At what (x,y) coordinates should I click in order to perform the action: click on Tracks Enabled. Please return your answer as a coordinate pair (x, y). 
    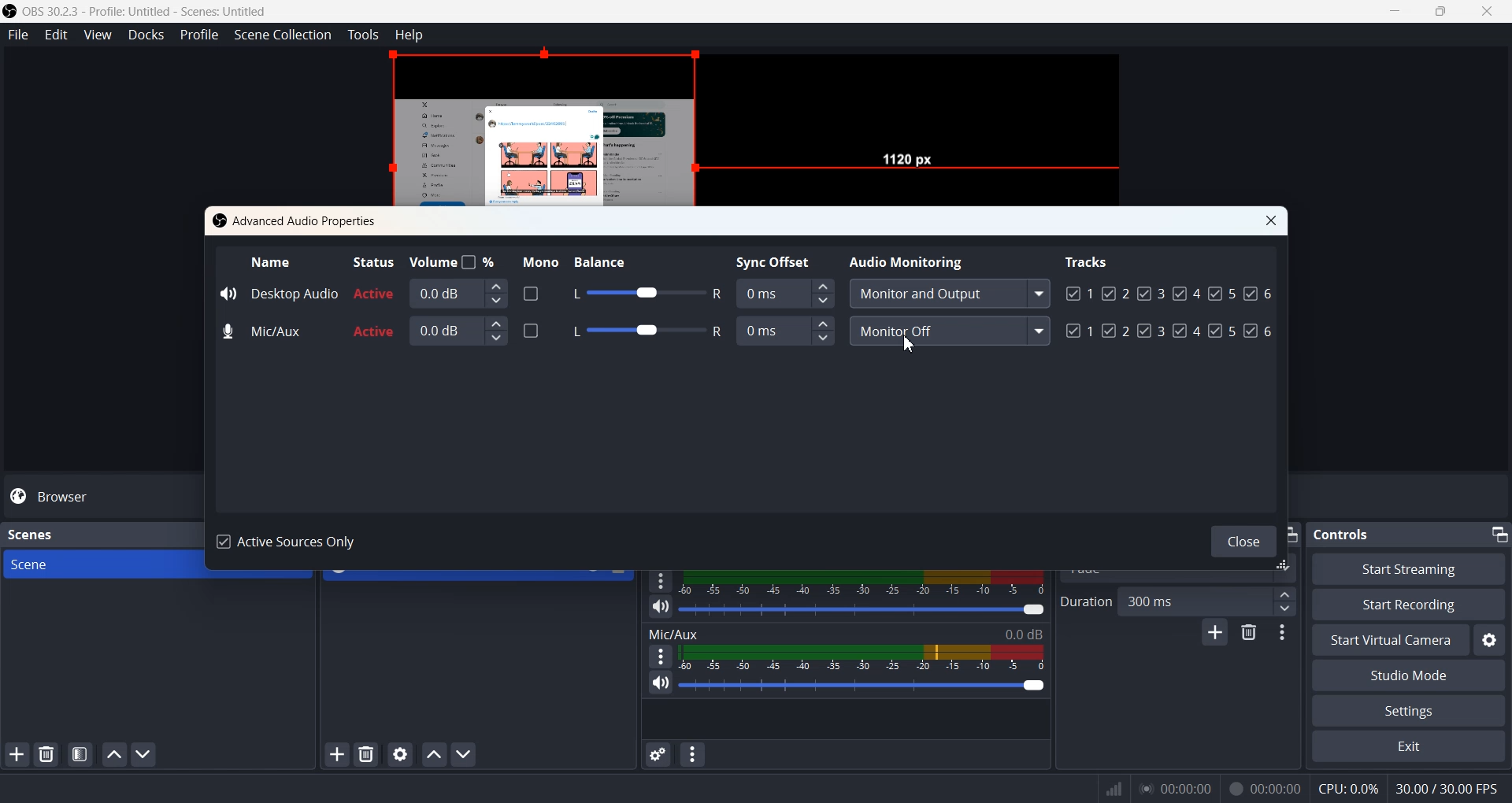
    Looking at the image, I should click on (1169, 309).